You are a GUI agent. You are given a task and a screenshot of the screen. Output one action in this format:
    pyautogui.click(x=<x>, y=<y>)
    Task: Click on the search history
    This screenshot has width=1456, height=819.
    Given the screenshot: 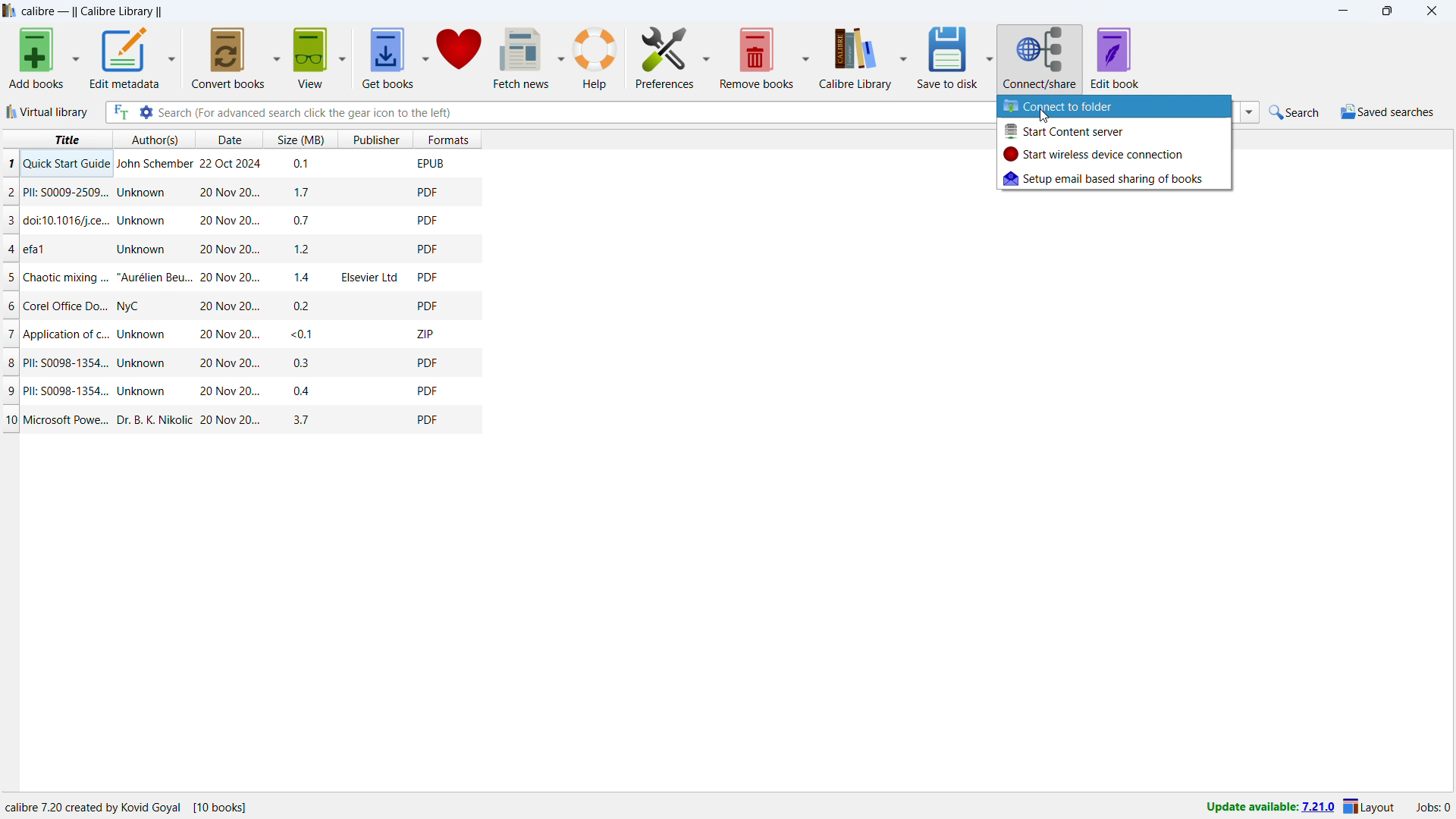 What is the action you would take?
    pyautogui.click(x=1249, y=112)
    